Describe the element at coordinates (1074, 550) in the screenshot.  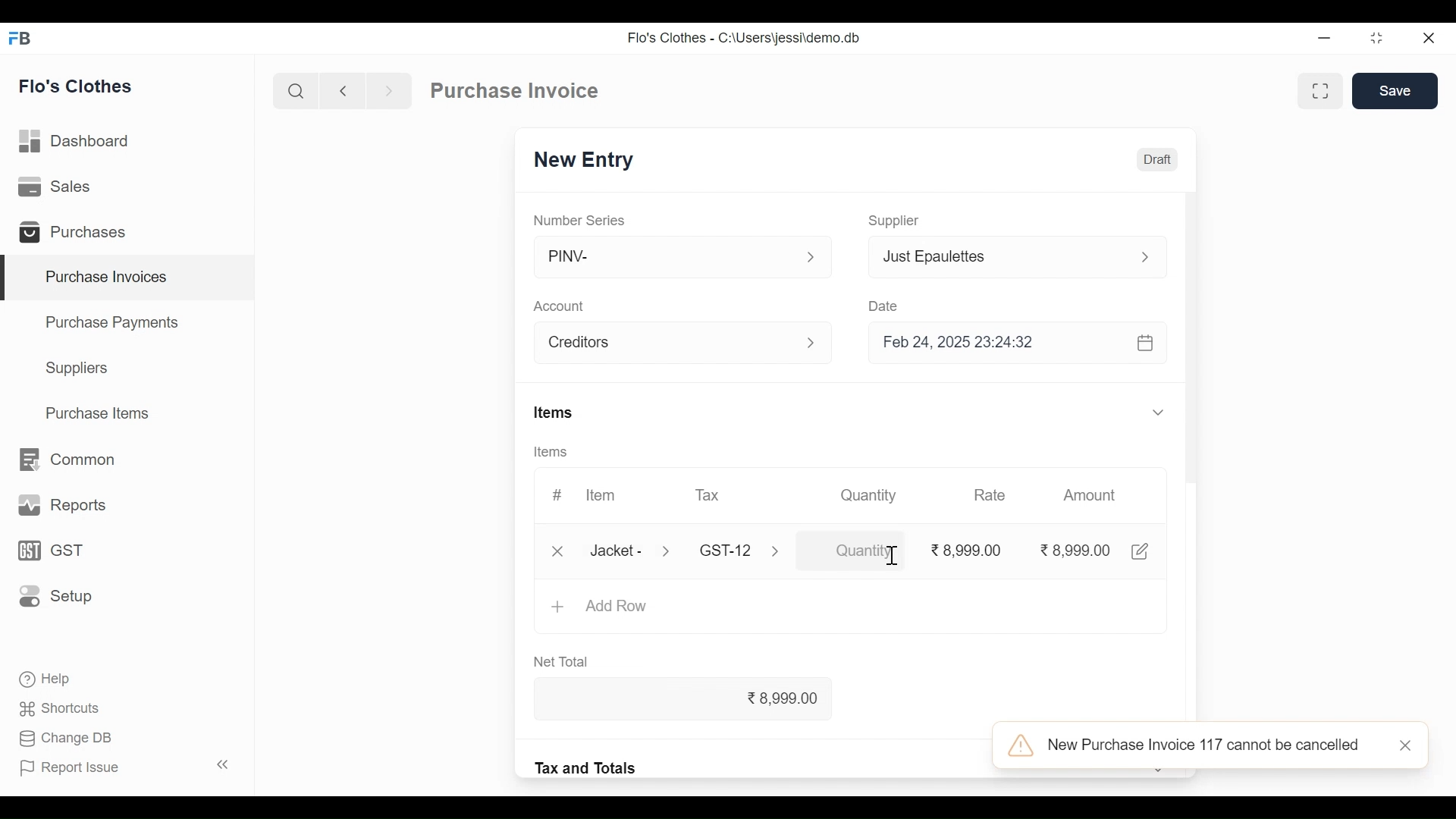
I see `8,999.00` at that location.